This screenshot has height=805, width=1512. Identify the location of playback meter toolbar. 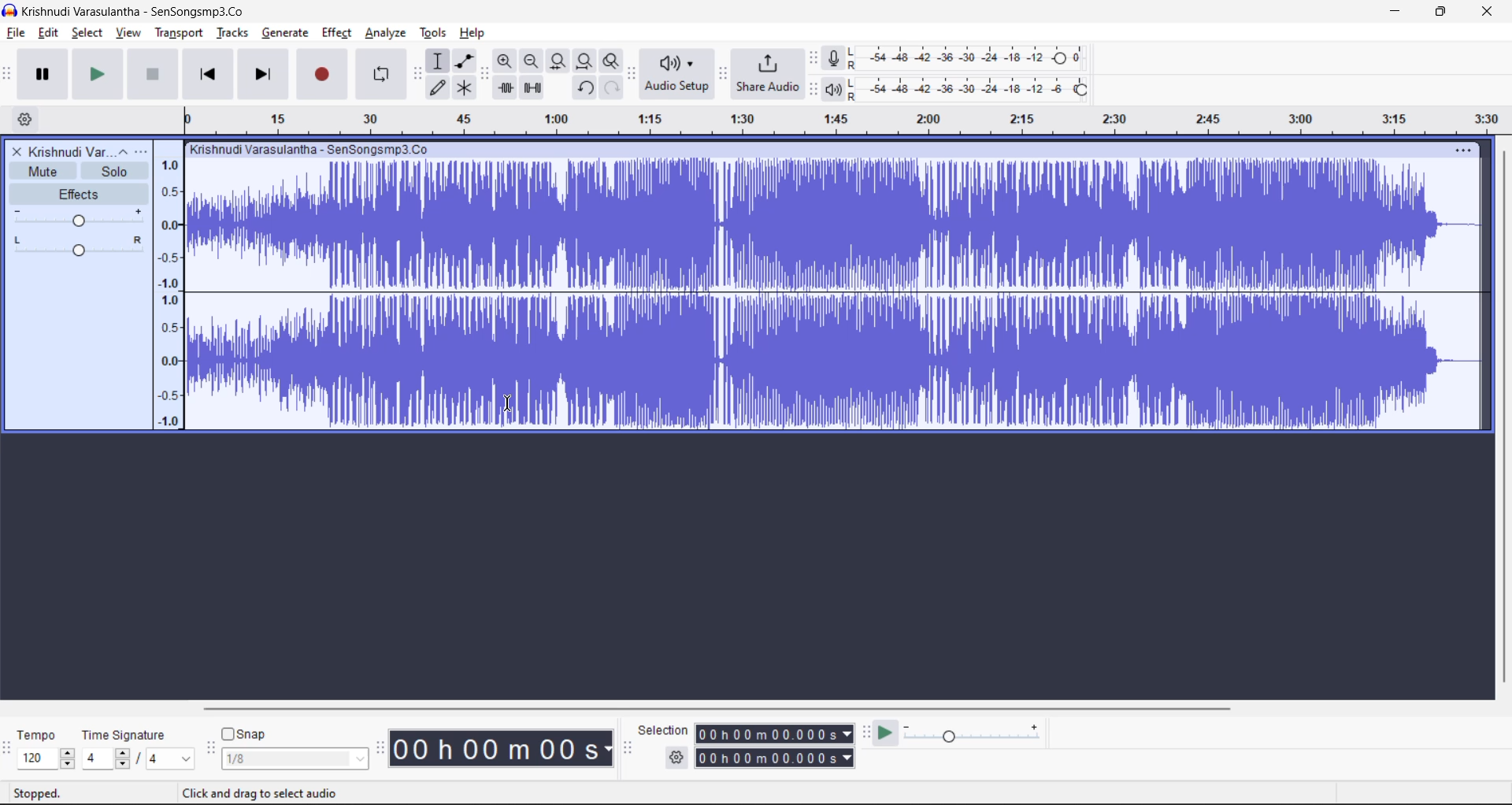
(812, 89).